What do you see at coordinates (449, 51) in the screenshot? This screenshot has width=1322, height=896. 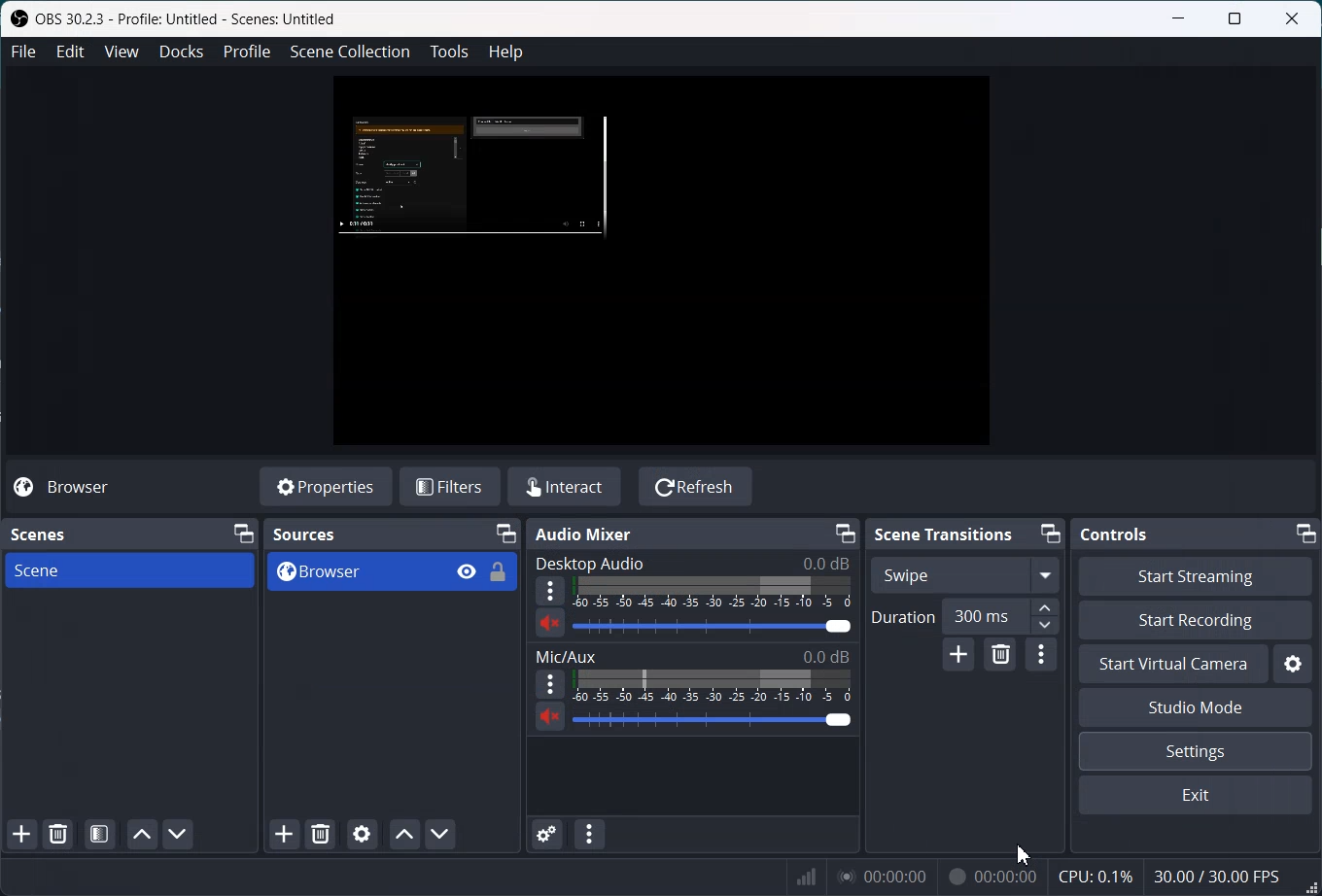 I see `Tools` at bounding box center [449, 51].